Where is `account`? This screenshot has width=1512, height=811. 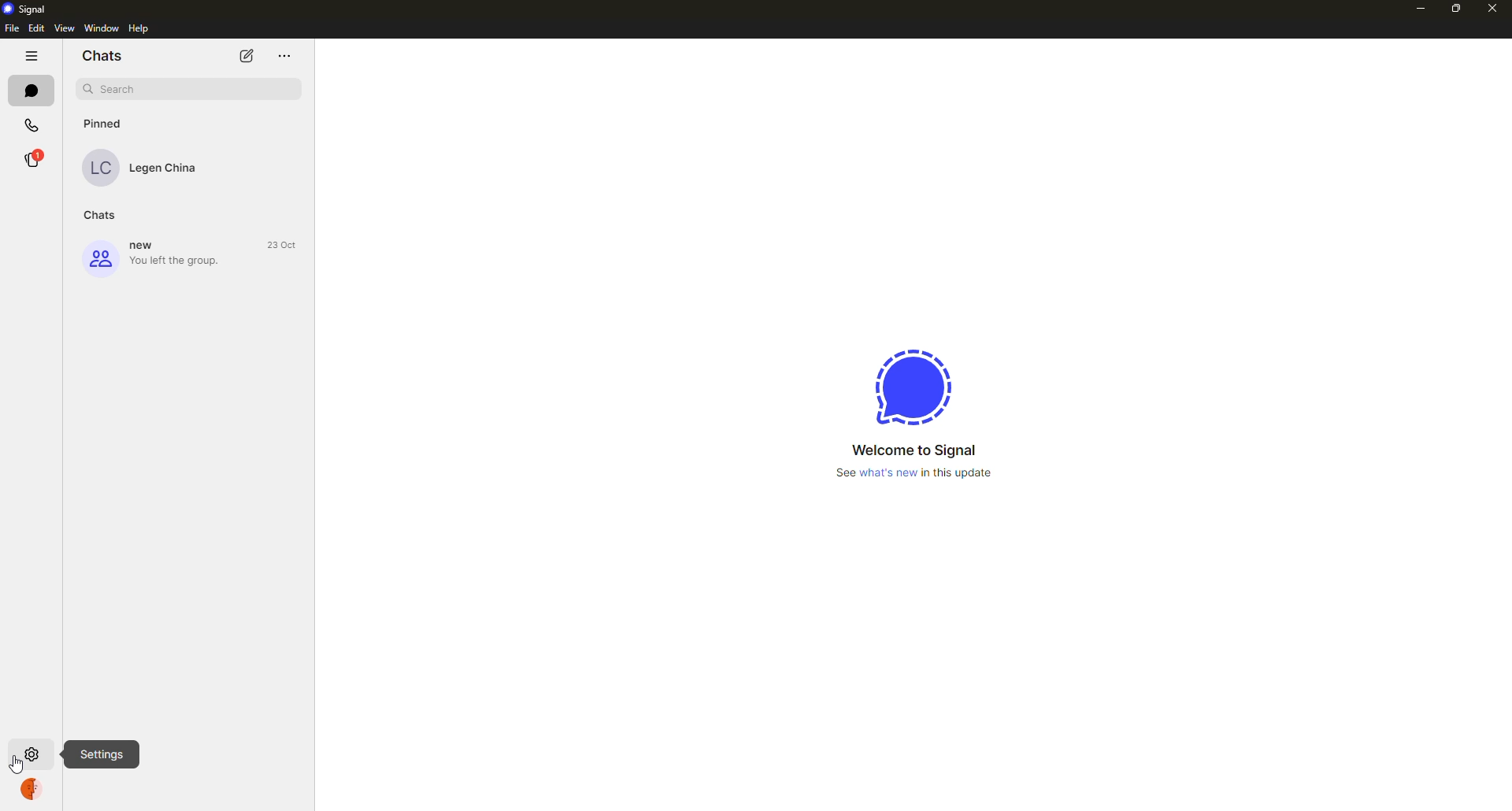 account is located at coordinates (31, 790).